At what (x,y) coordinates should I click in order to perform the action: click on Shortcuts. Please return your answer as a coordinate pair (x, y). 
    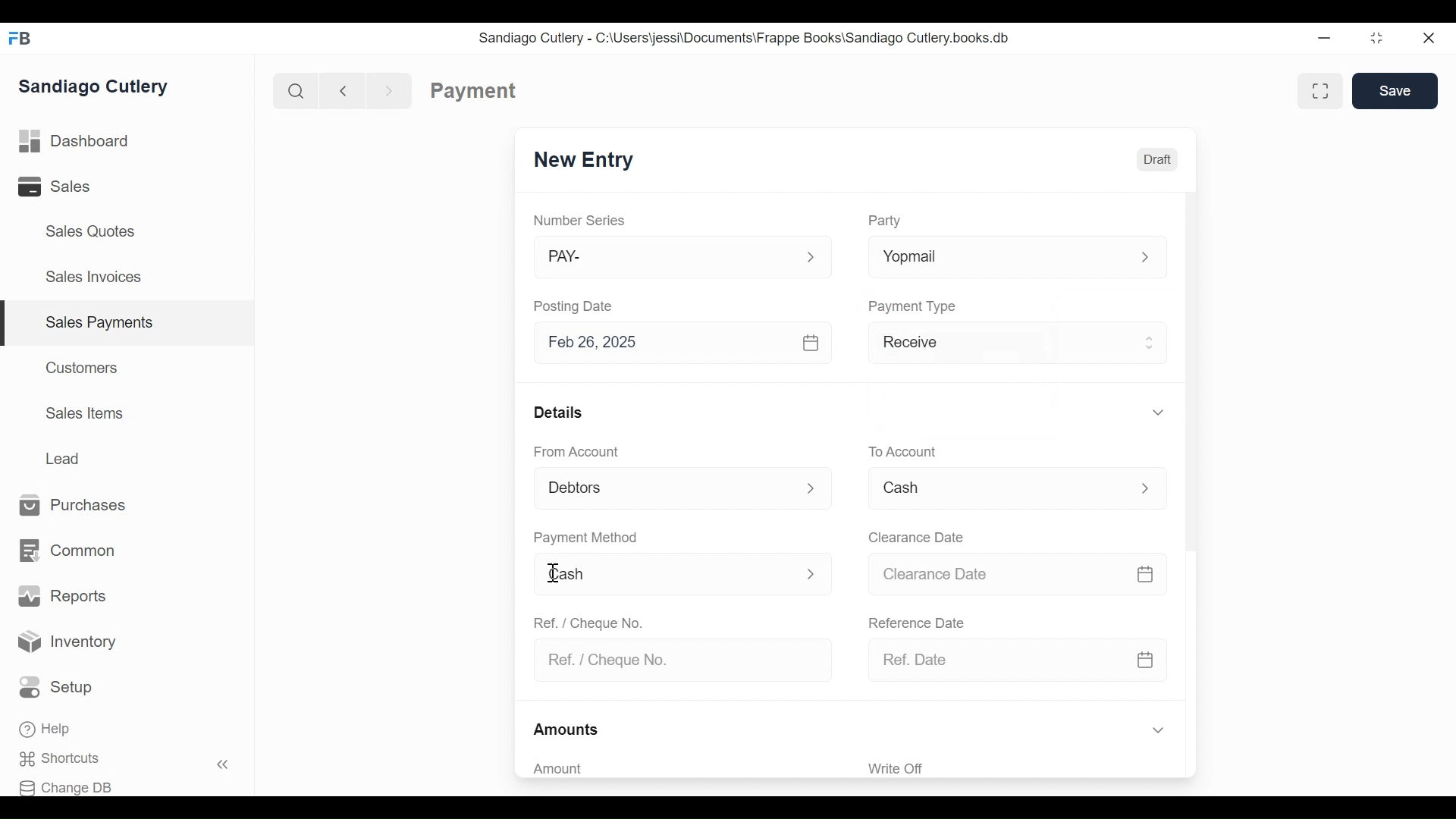
    Looking at the image, I should click on (69, 759).